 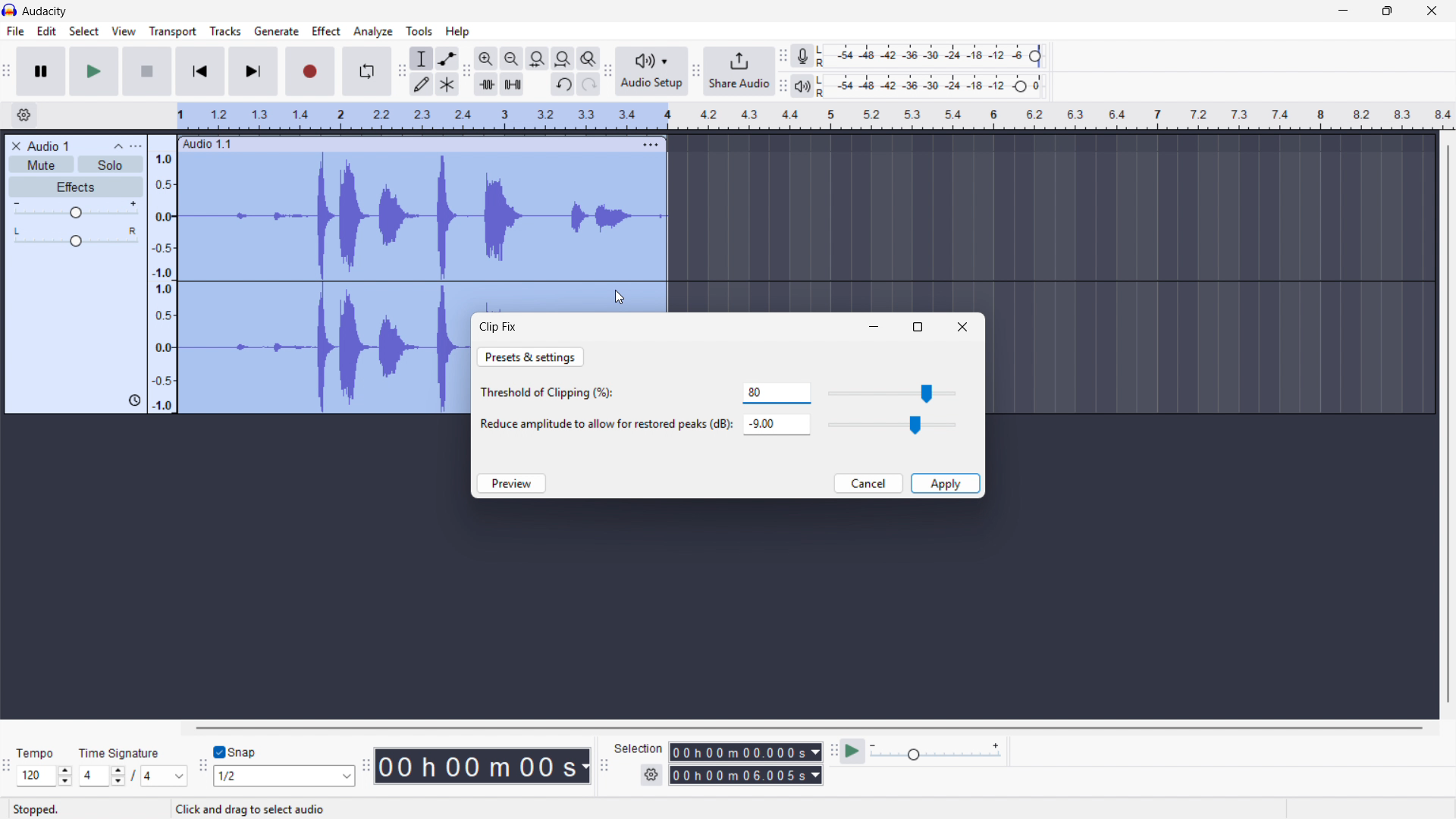 What do you see at coordinates (512, 58) in the screenshot?
I see `Zoom out` at bounding box center [512, 58].